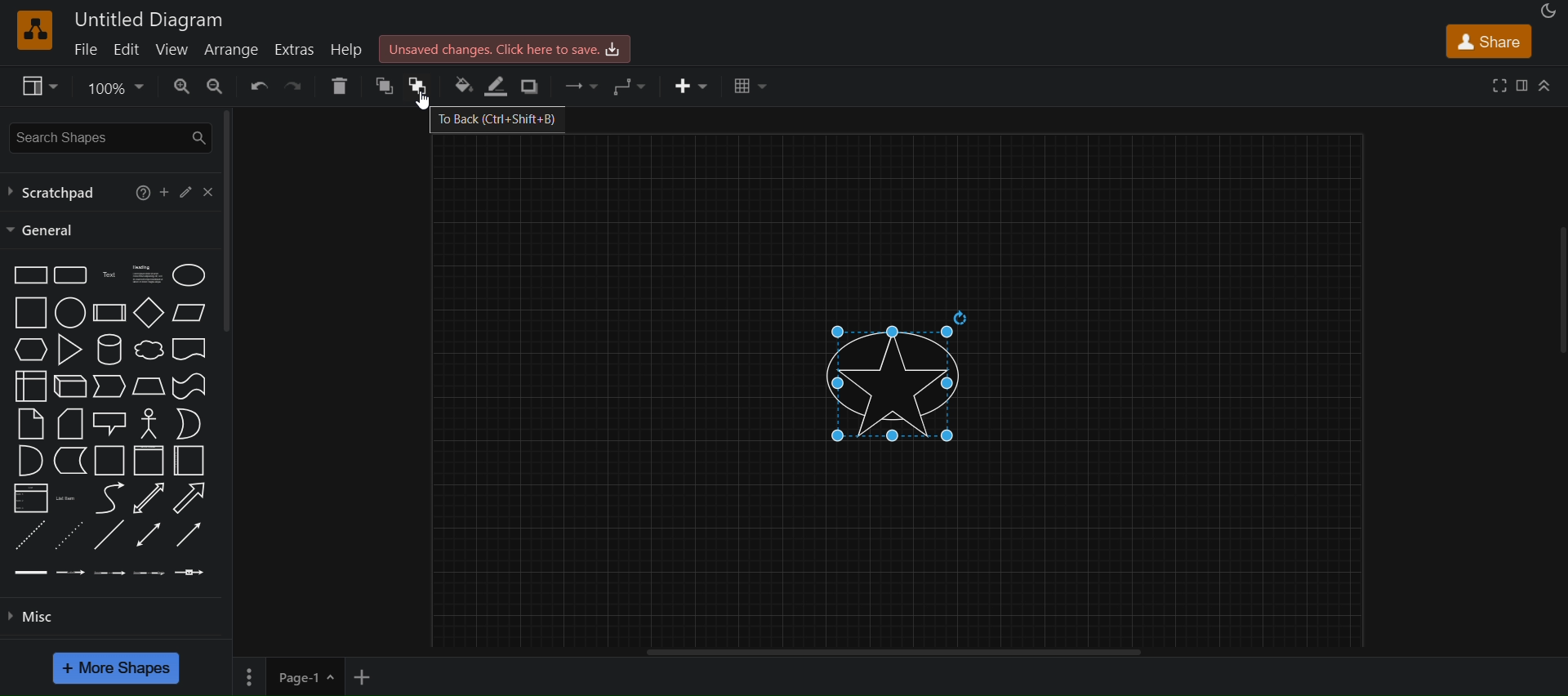 This screenshot has width=1568, height=696. What do you see at coordinates (286, 676) in the screenshot?
I see `page 1` at bounding box center [286, 676].